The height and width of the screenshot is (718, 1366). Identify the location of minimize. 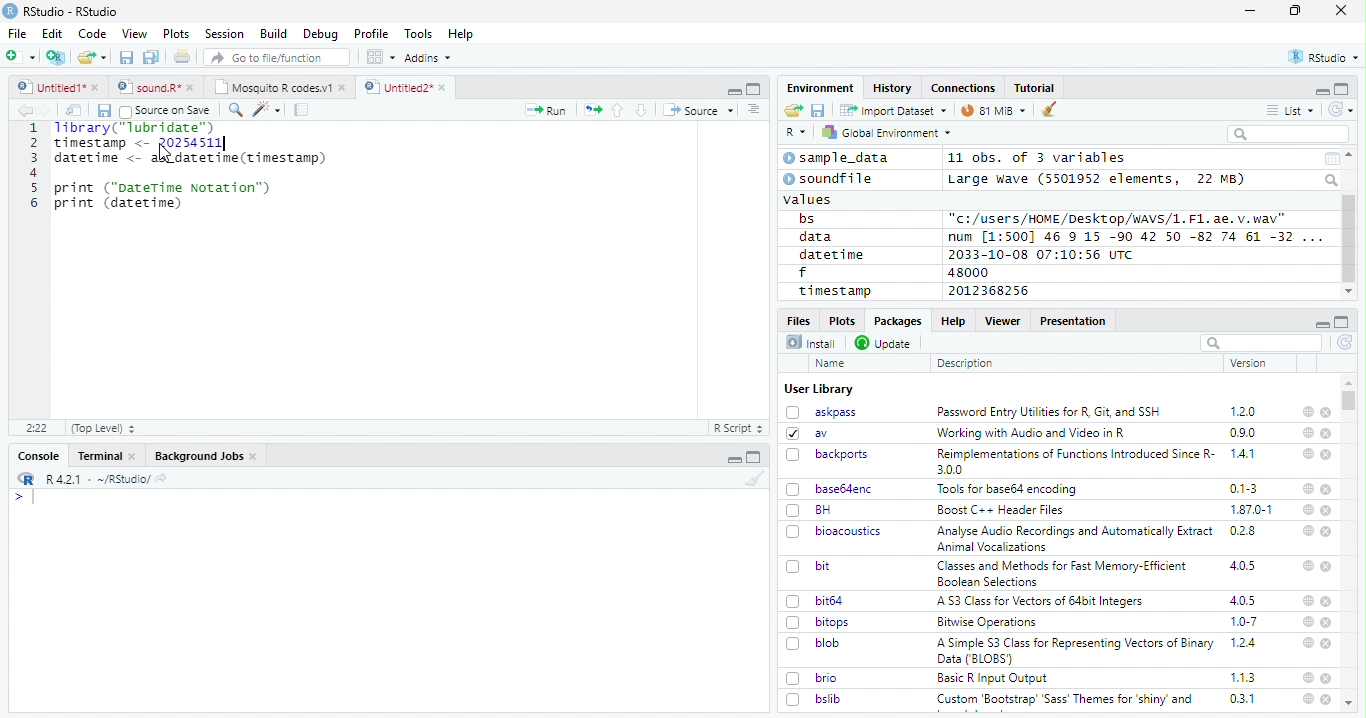
(1321, 322).